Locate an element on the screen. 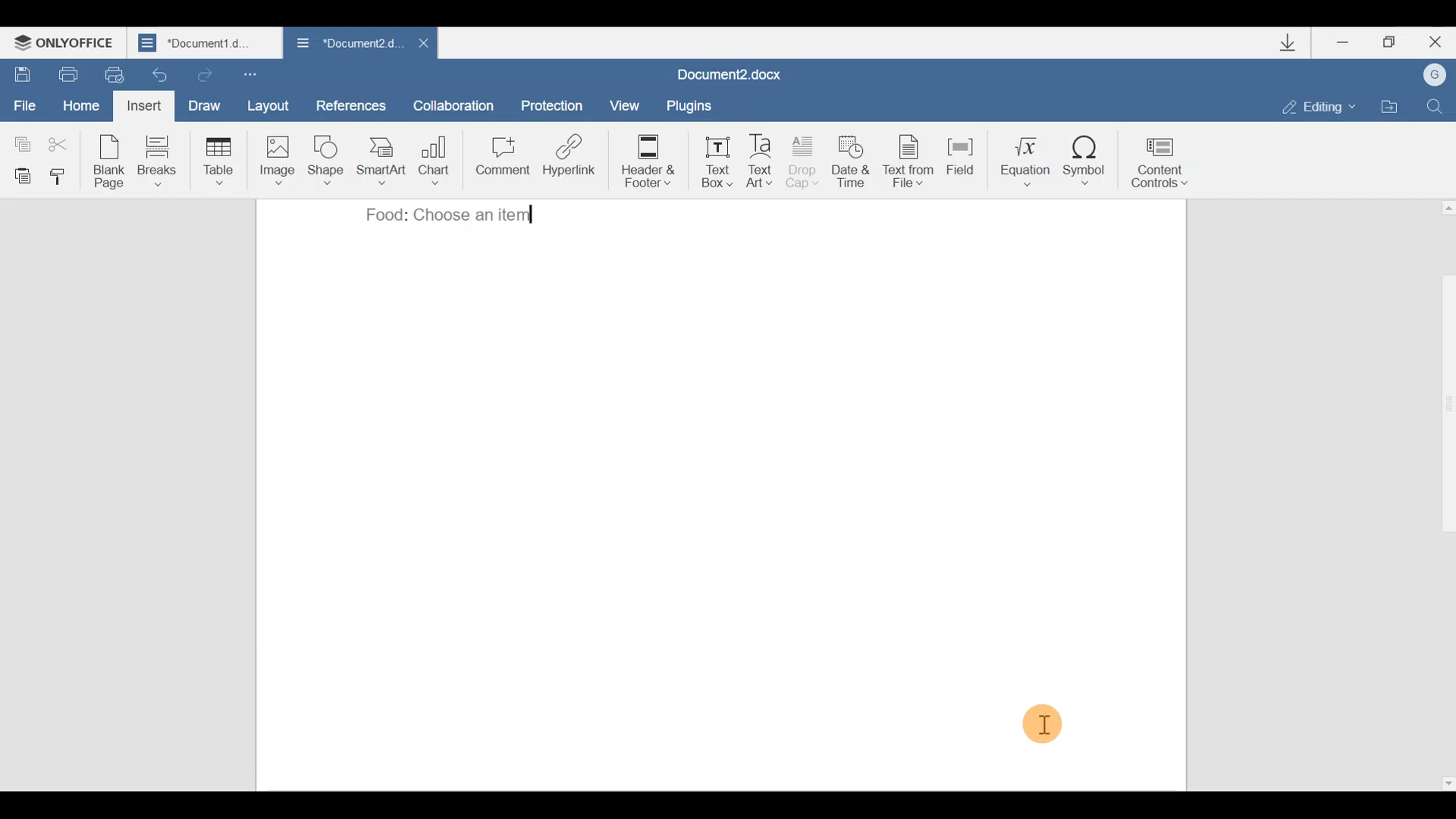  Paste is located at coordinates (20, 174).